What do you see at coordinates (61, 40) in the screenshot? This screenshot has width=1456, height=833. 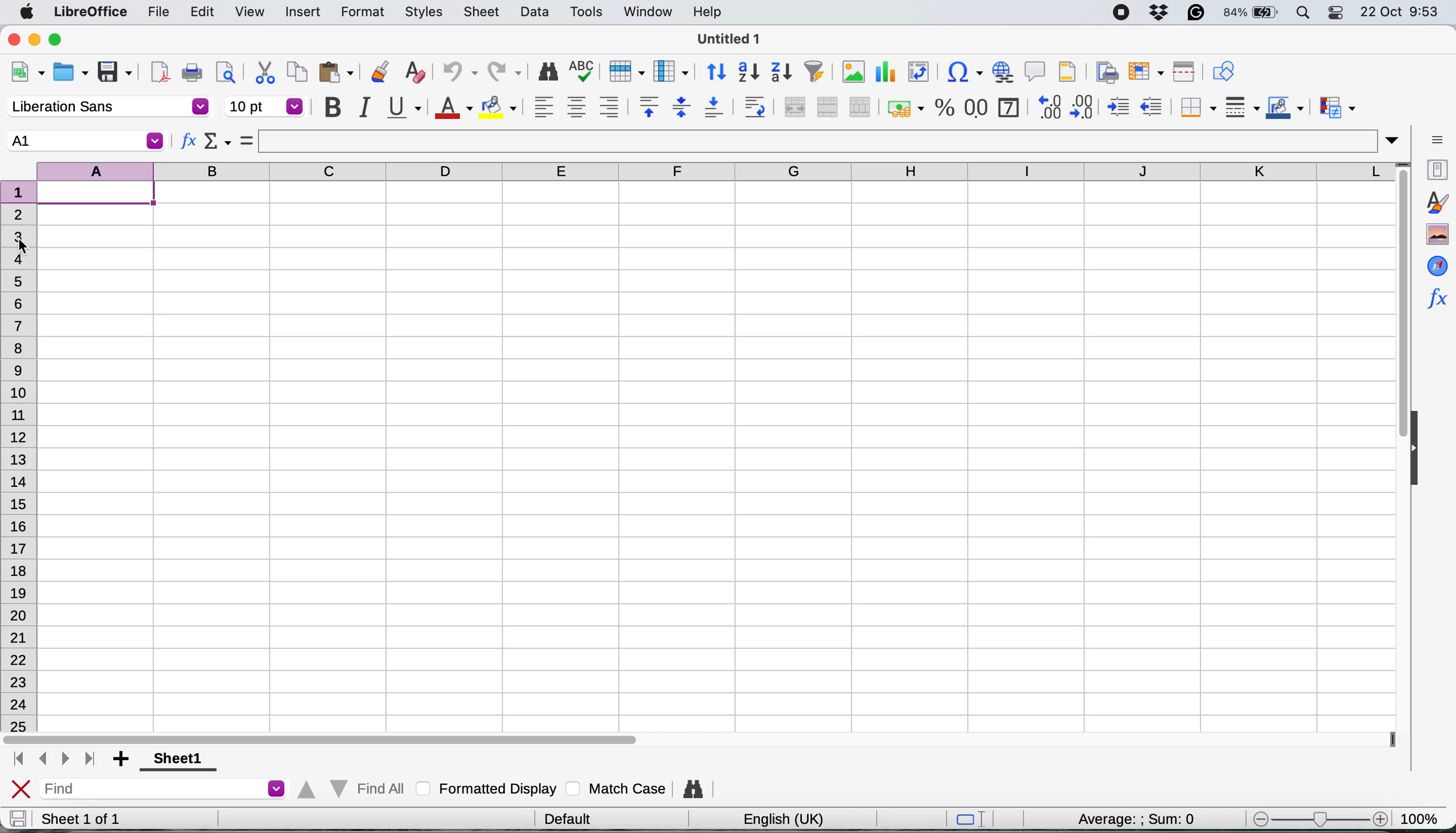 I see `maximise` at bounding box center [61, 40].